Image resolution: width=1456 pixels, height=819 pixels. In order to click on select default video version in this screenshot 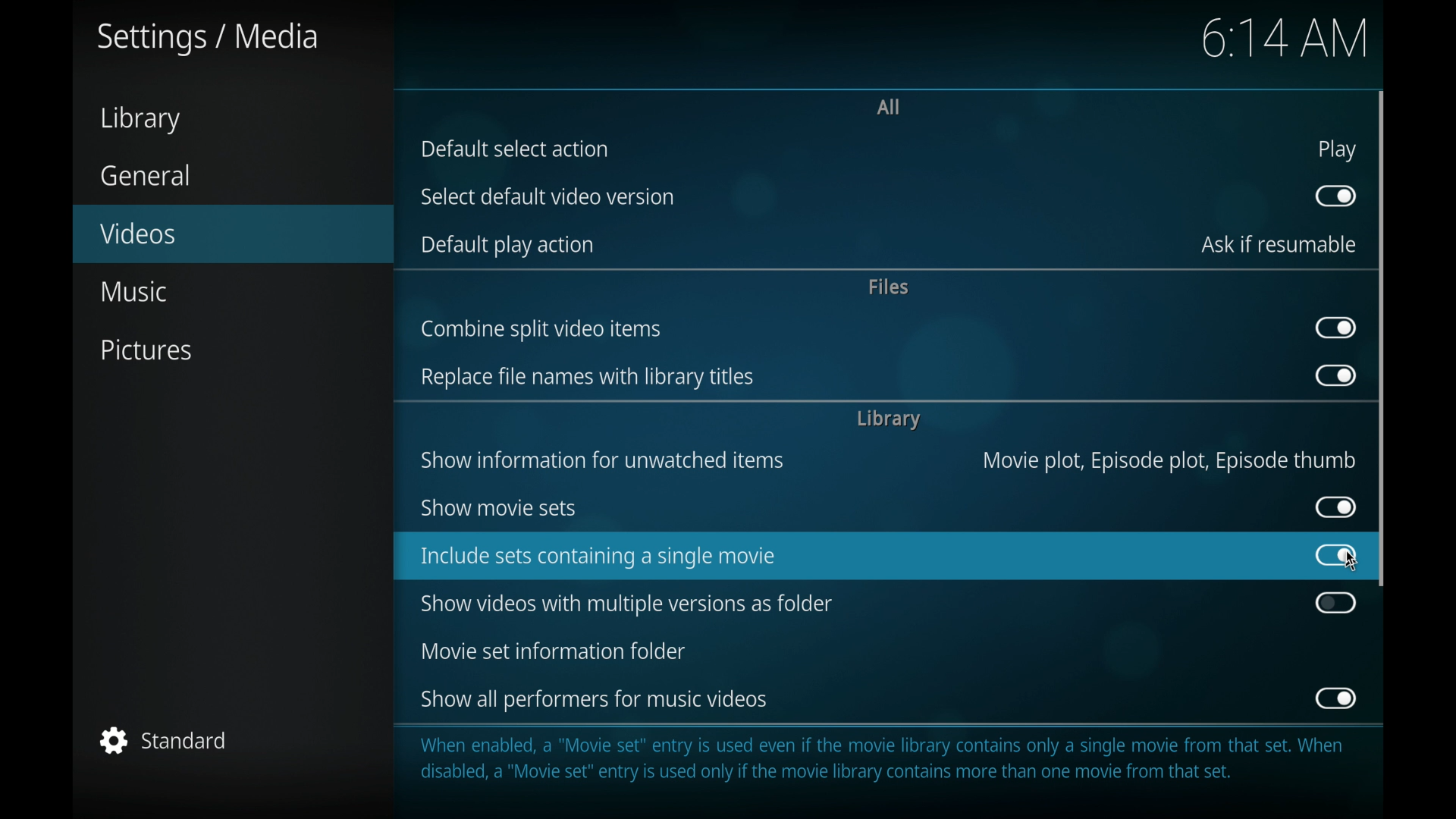, I will do `click(544, 196)`.